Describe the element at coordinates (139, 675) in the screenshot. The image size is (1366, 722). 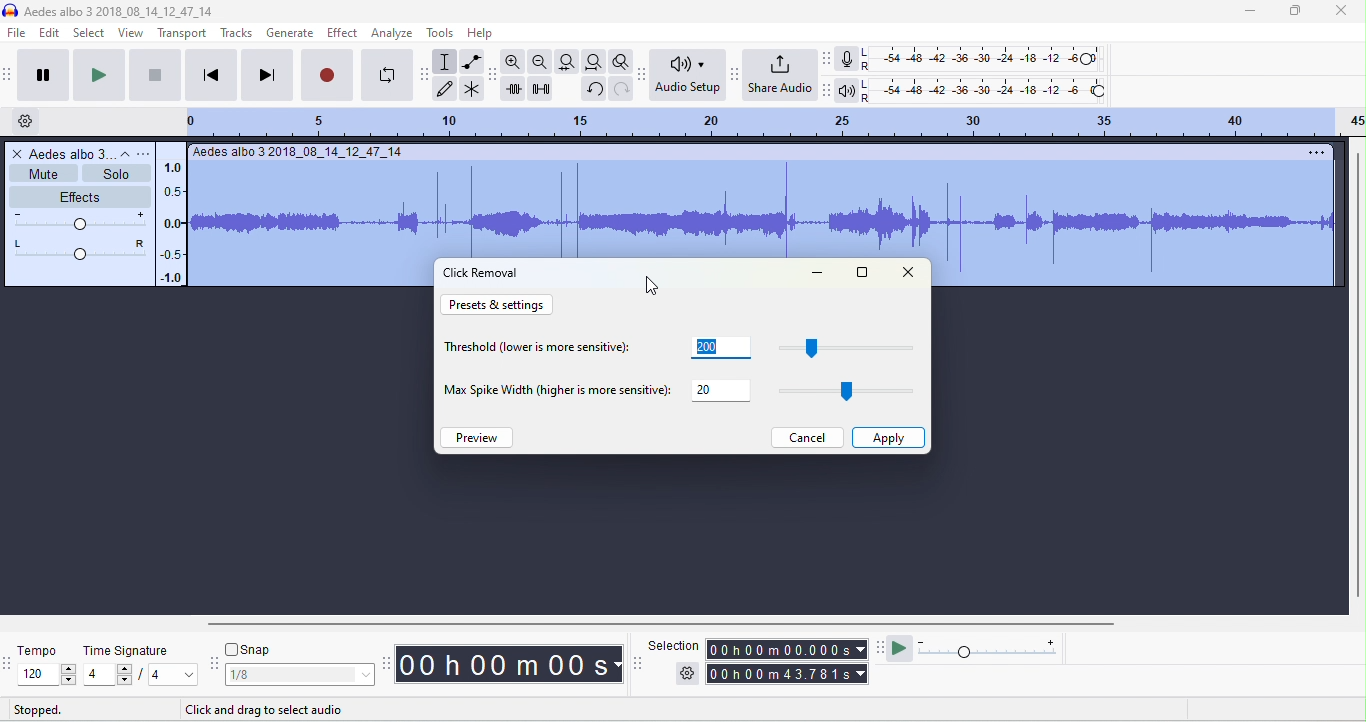
I see `select time signature` at that location.